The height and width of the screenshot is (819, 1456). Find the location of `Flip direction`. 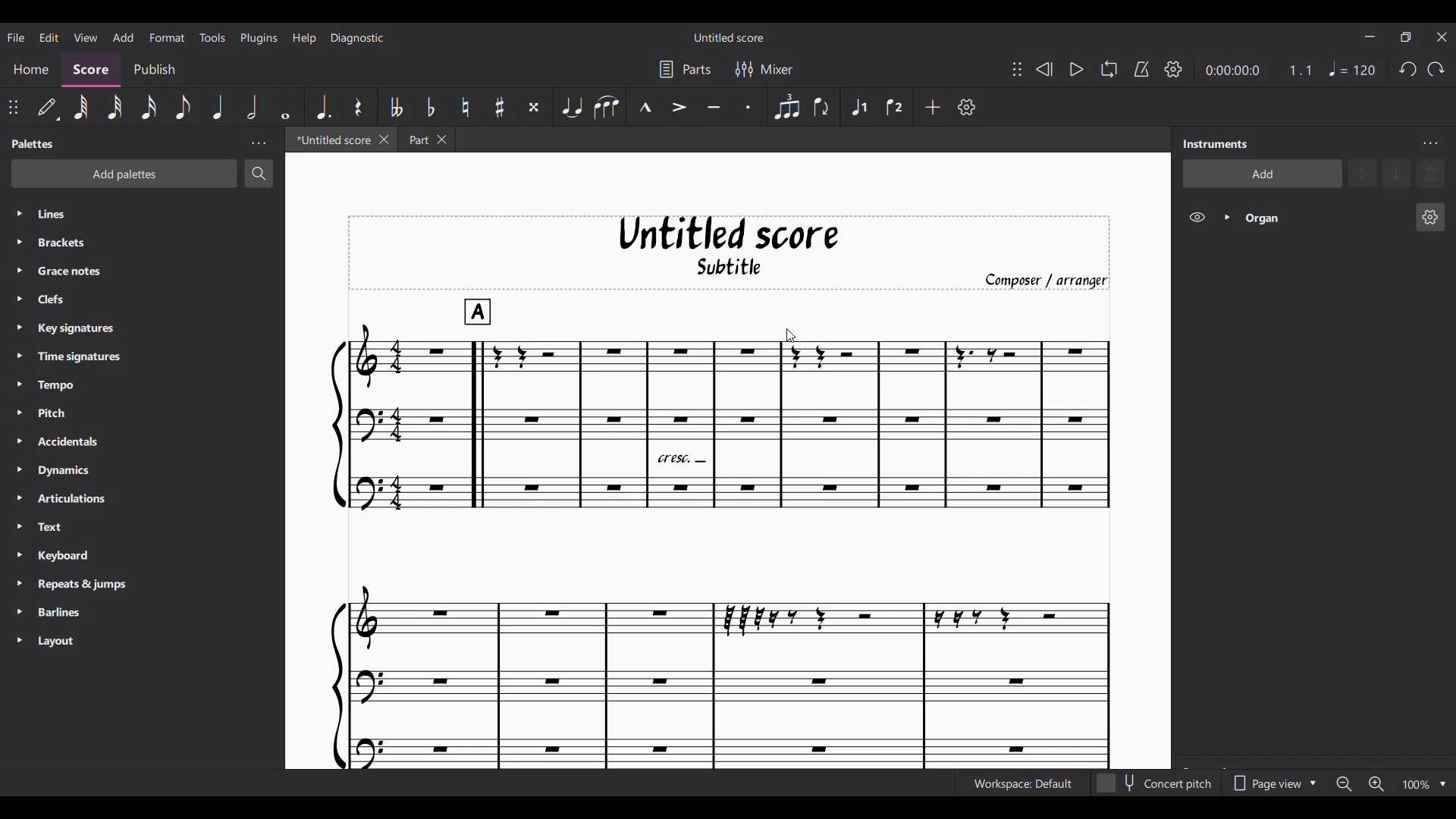

Flip direction is located at coordinates (821, 108).